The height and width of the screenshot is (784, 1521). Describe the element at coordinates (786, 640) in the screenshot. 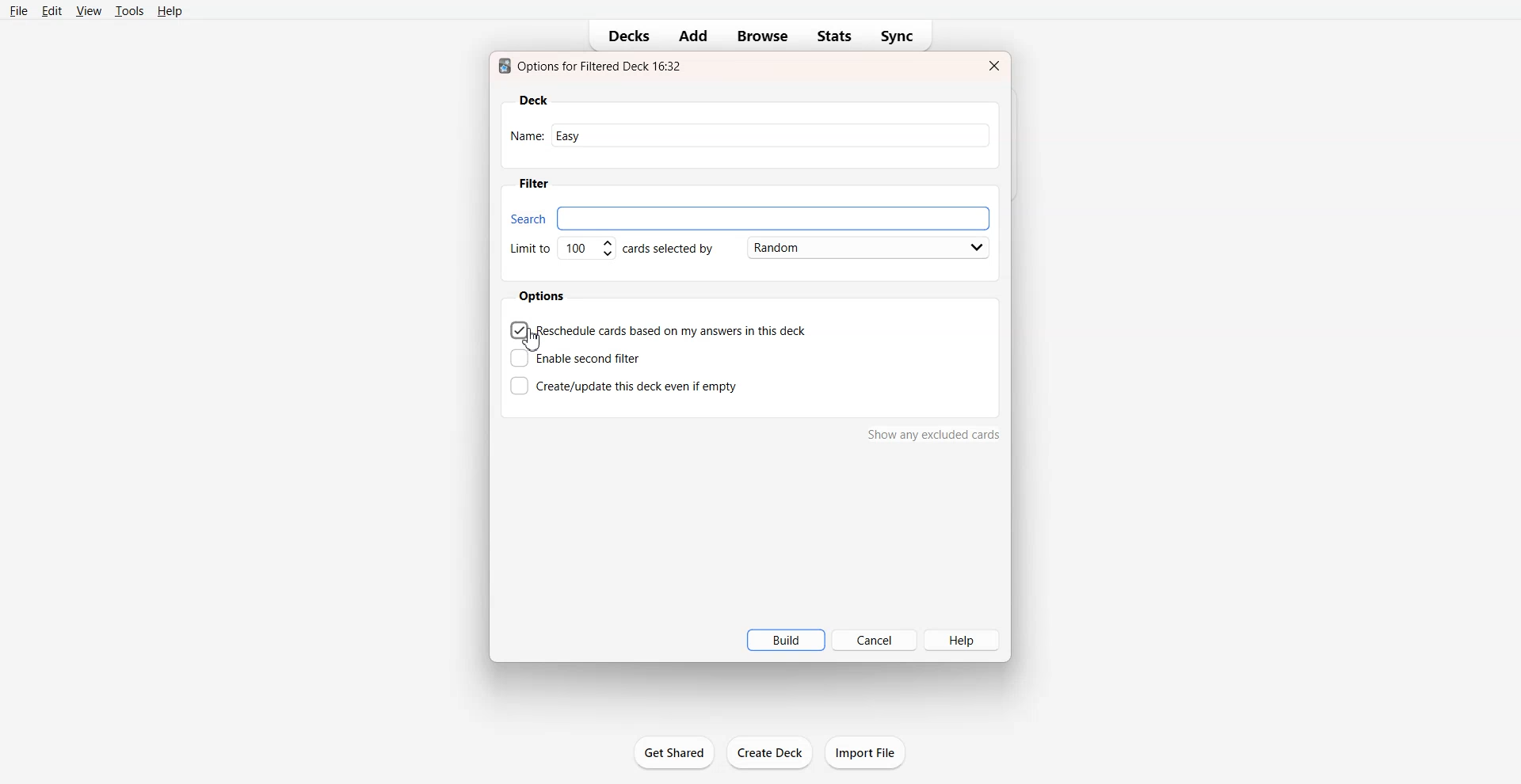

I see `Build` at that location.